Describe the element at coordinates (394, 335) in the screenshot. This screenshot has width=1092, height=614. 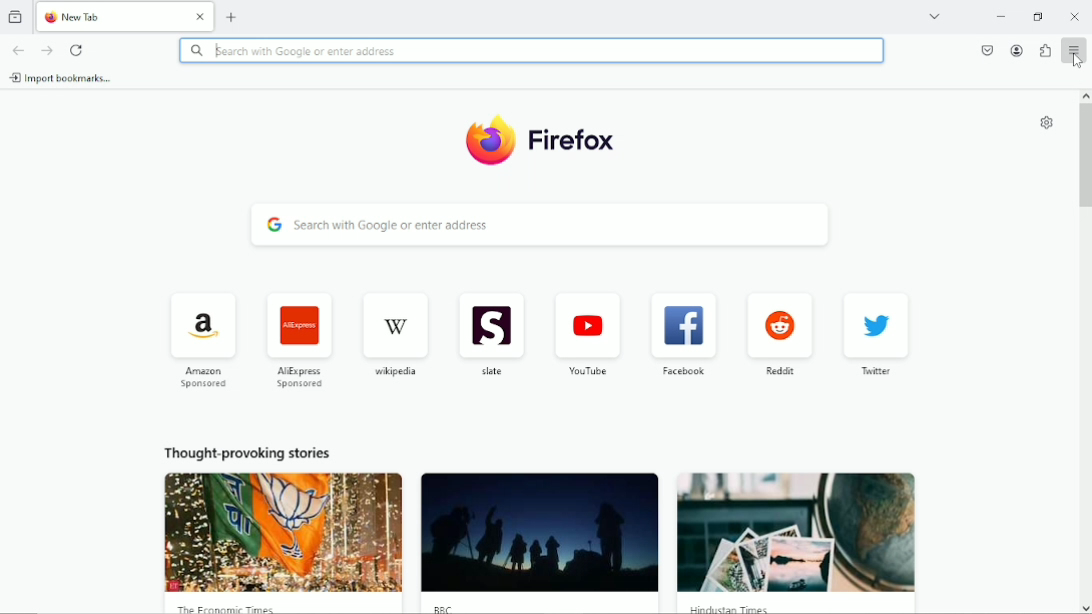
I see `Wikipedia` at that location.